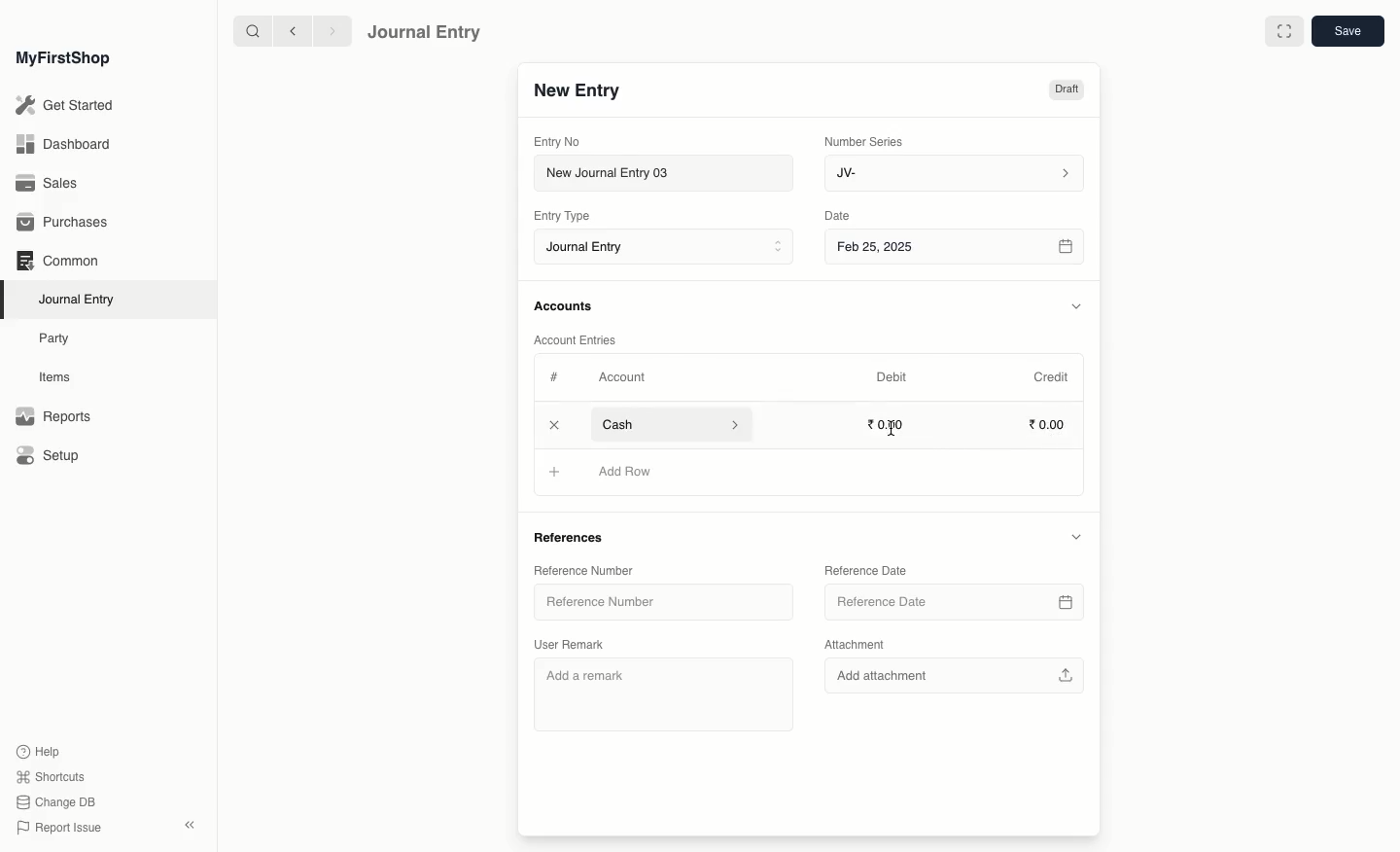  Describe the element at coordinates (48, 185) in the screenshot. I see `Sales` at that location.